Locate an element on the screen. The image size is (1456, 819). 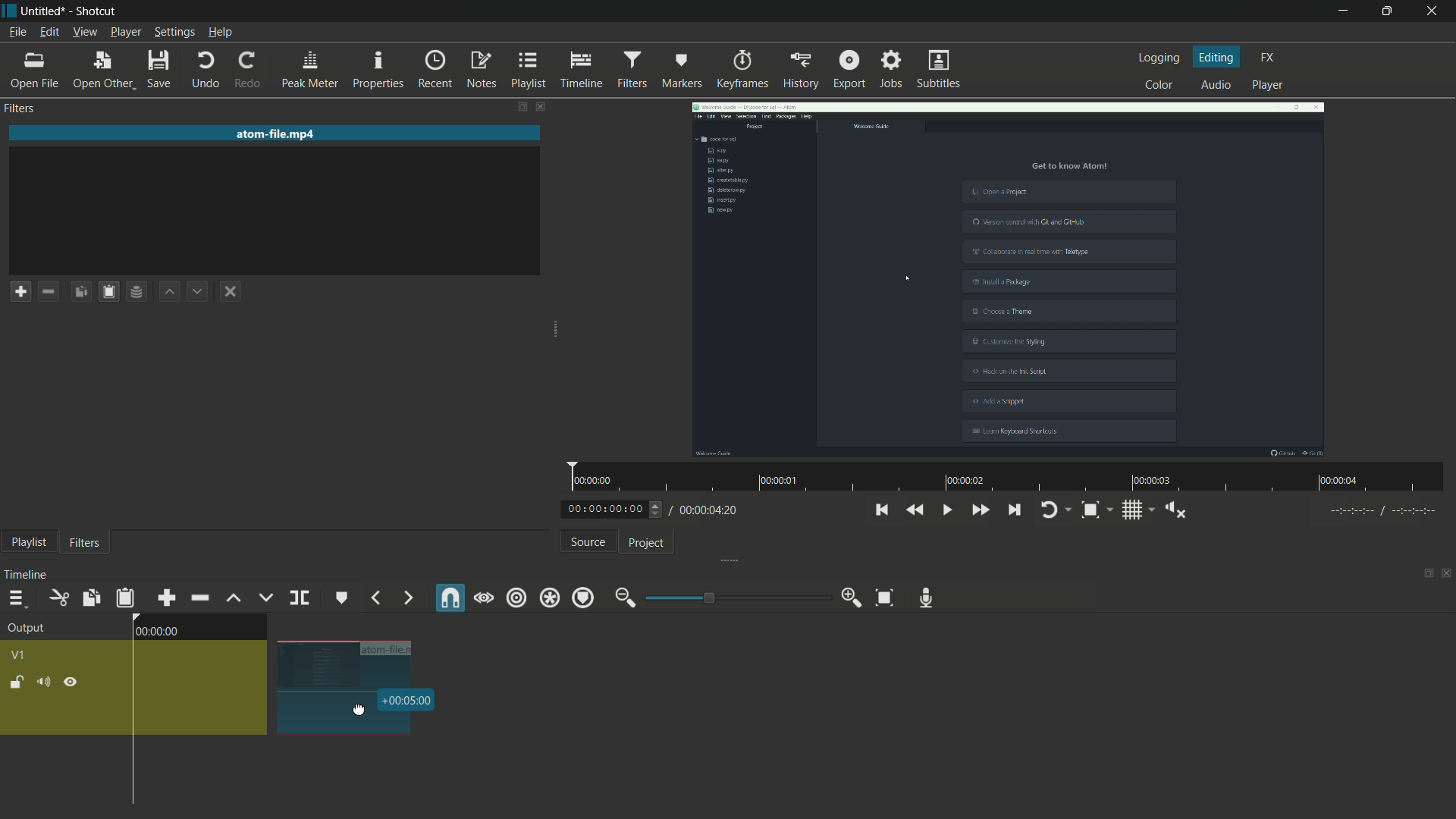
close app is located at coordinates (1435, 11).